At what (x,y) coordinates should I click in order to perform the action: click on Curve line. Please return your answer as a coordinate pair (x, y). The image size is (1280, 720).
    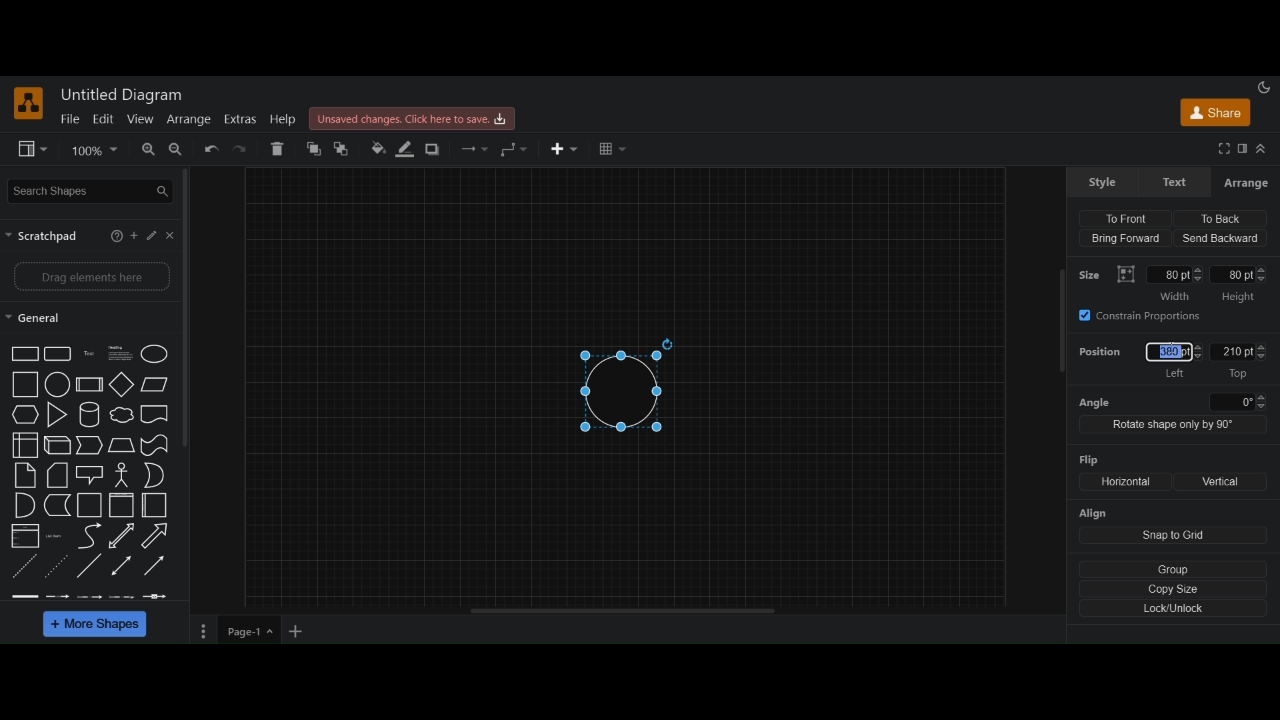
    Looking at the image, I should click on (89, 536).